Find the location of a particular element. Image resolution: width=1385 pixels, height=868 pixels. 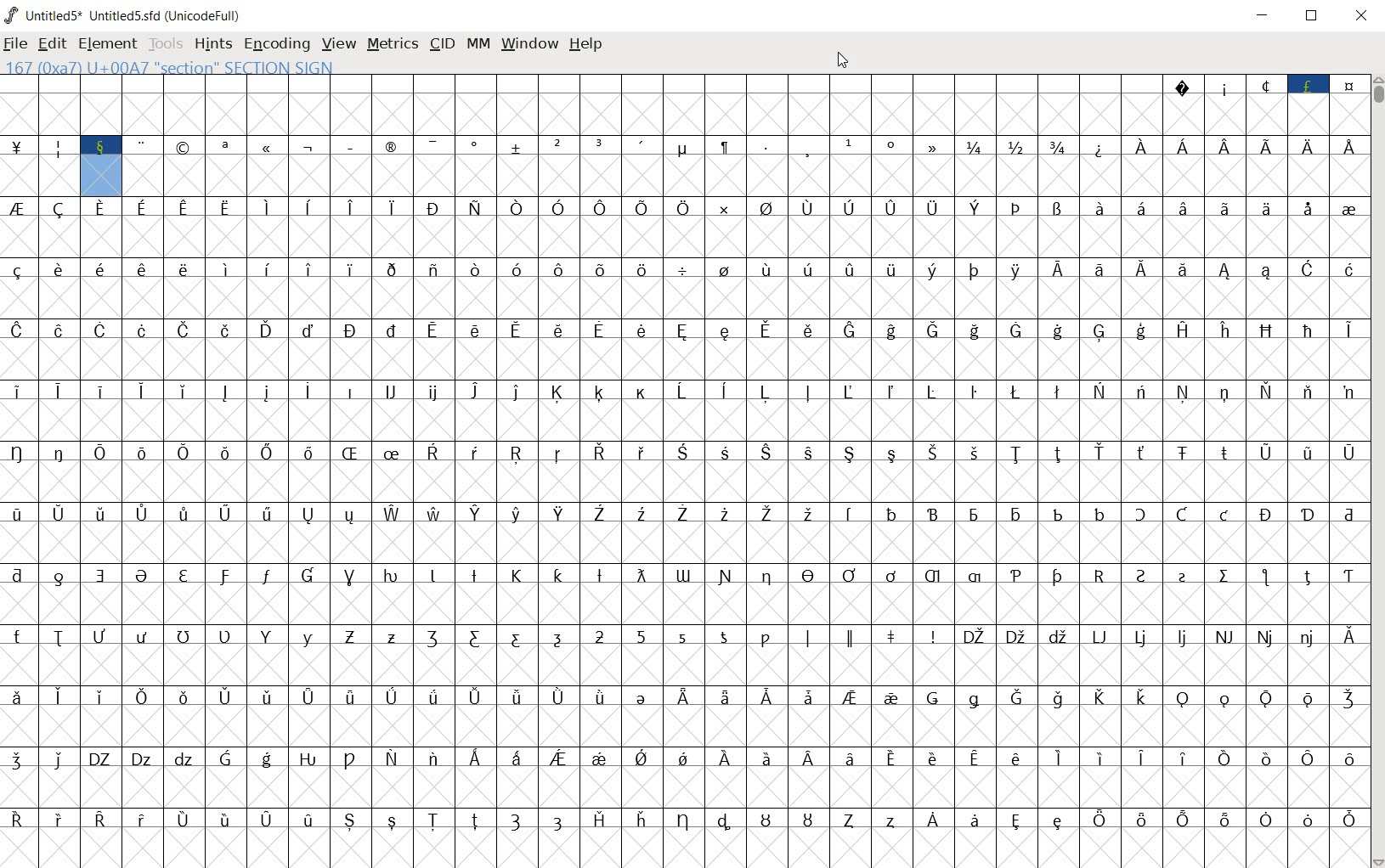

mm is located at coordinates (476, 42).